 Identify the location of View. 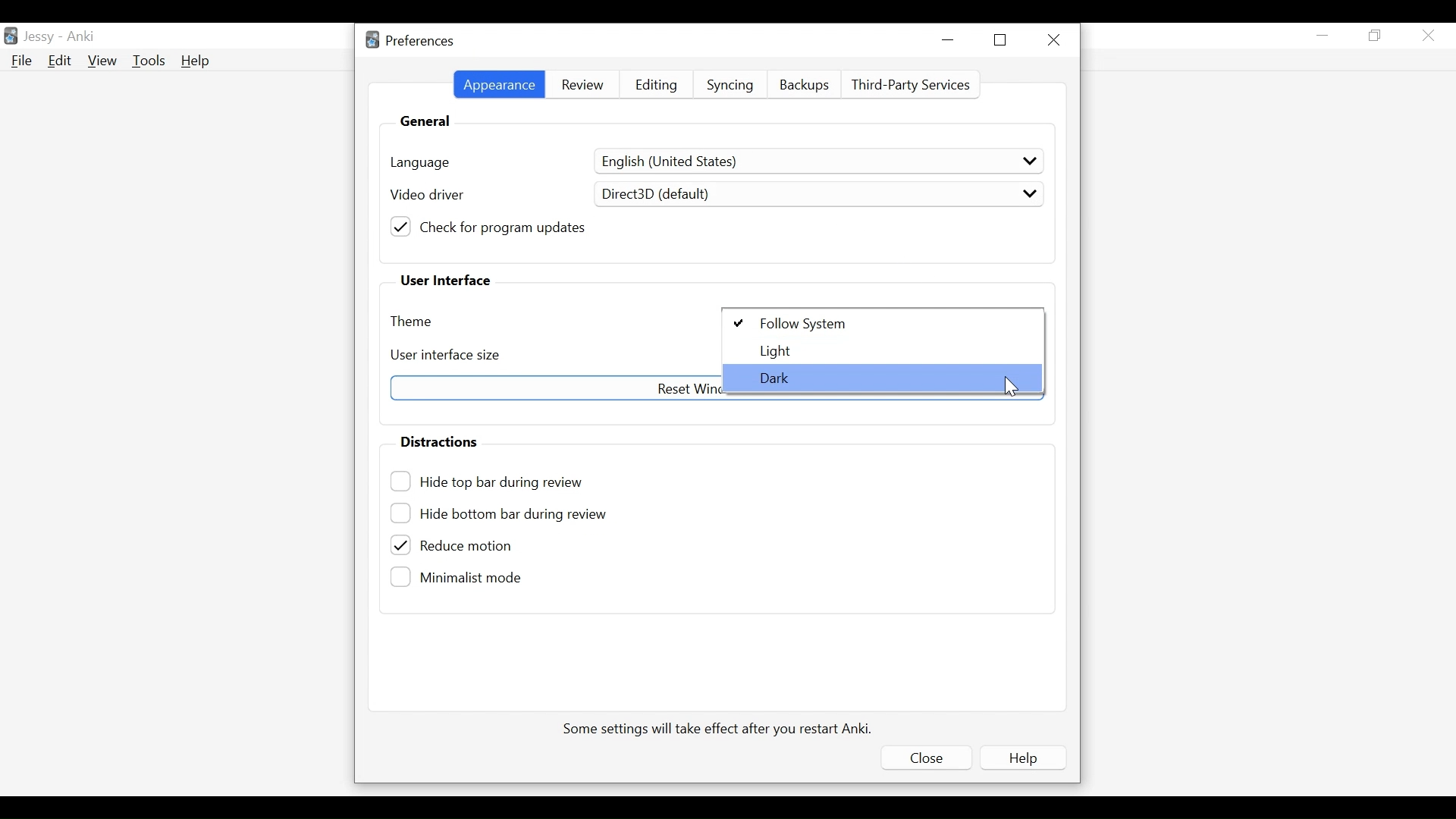
(101, 59).